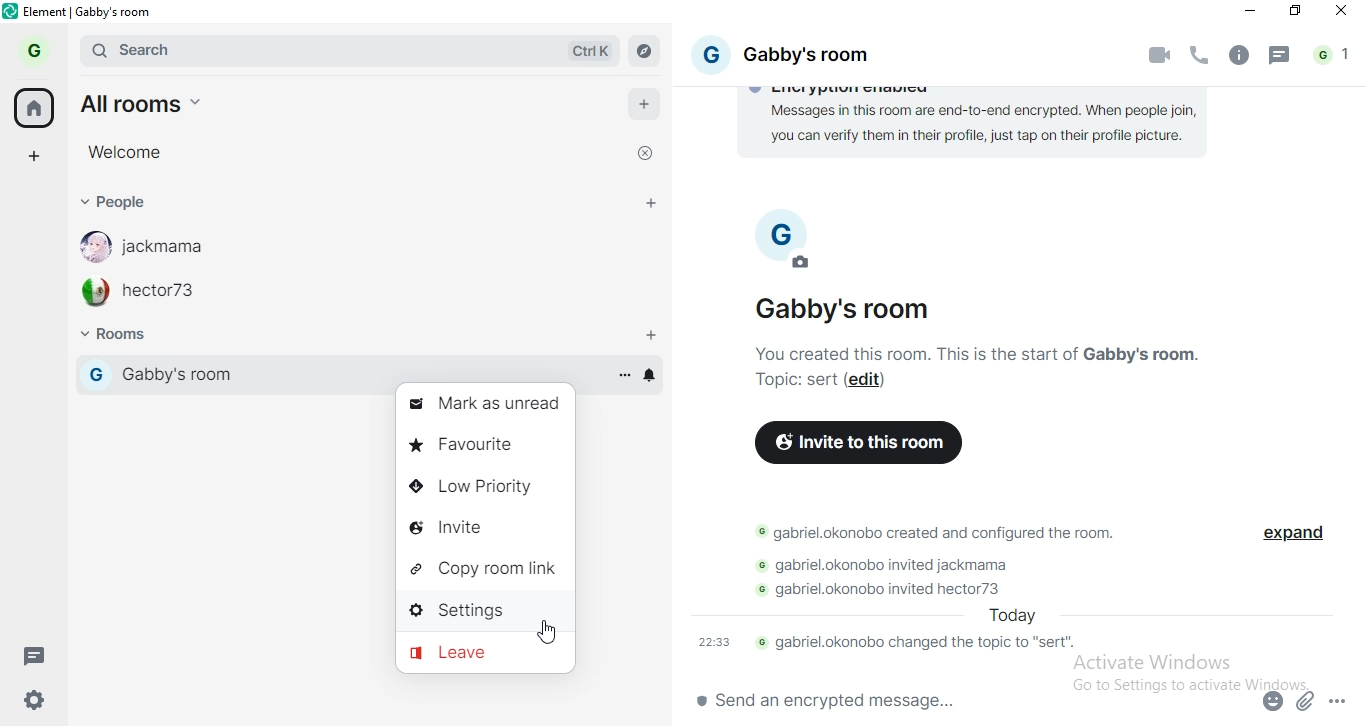 The image size is (1366, 726). Describe the element at coordinates (115, 201) in the screenshot. I see `people` at that location.